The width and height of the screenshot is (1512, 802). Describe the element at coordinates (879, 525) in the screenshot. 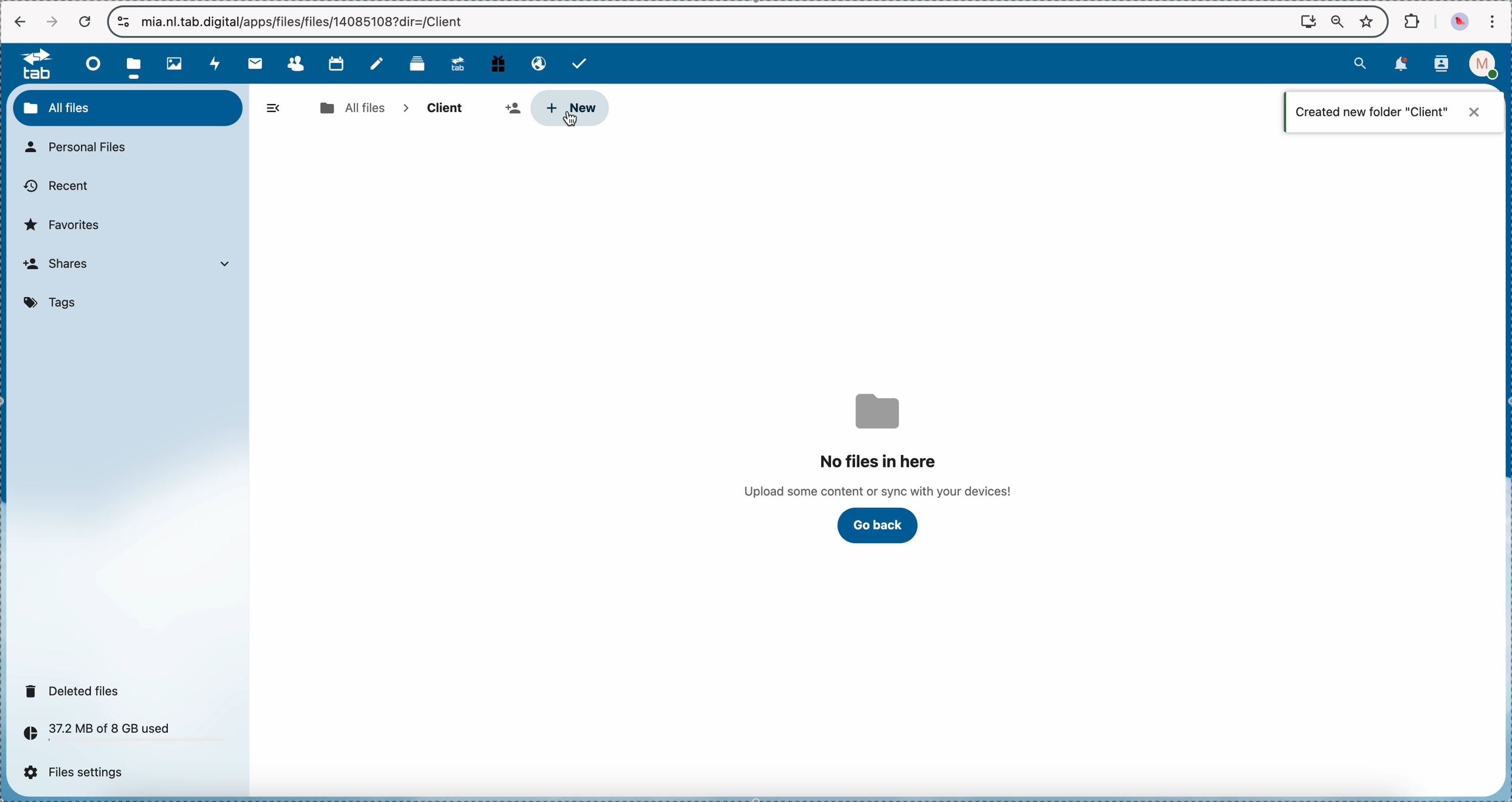

I see `click on go back` at that location.